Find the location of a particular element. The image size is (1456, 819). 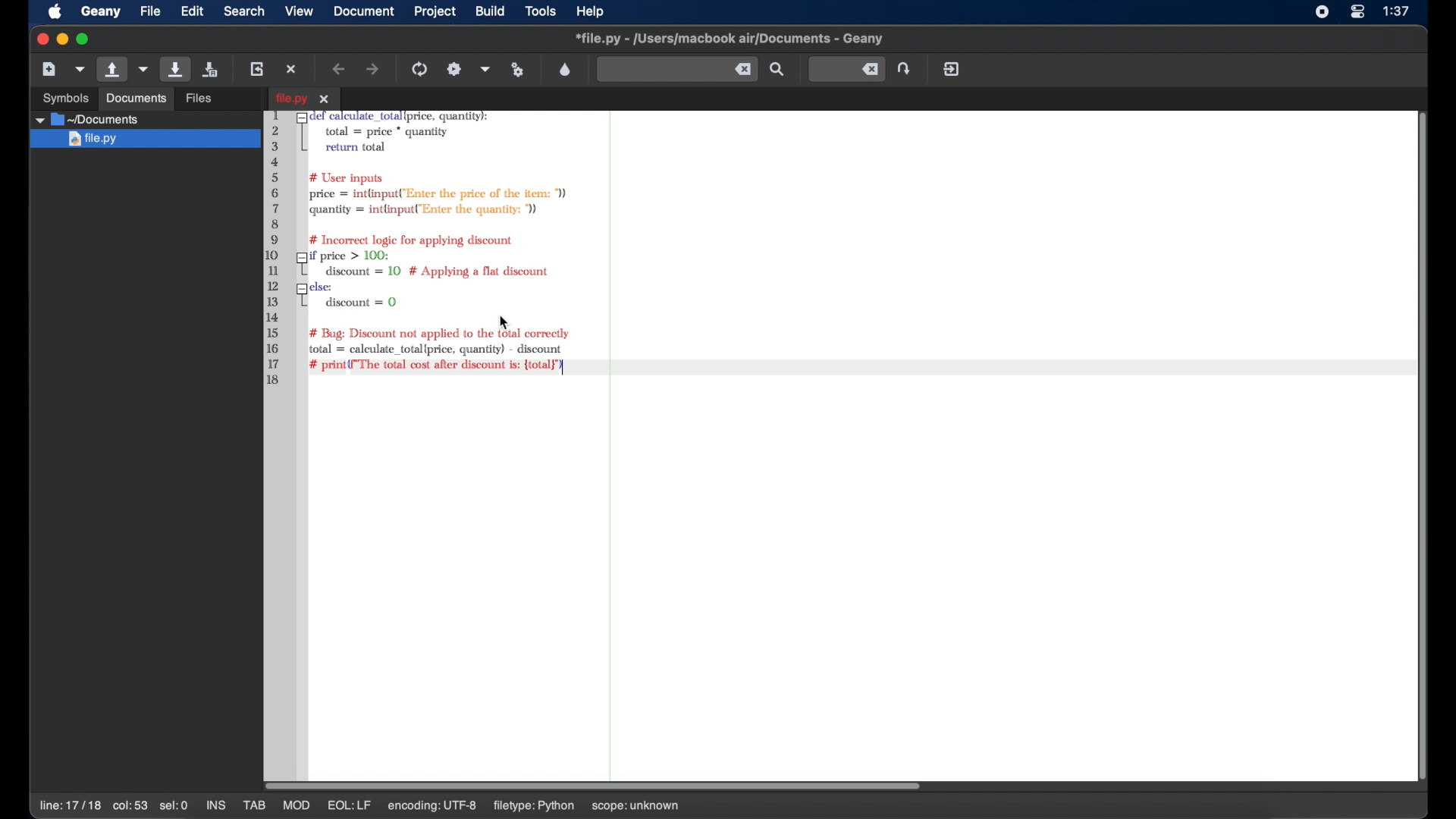

search is located at coordinates (244, 11).